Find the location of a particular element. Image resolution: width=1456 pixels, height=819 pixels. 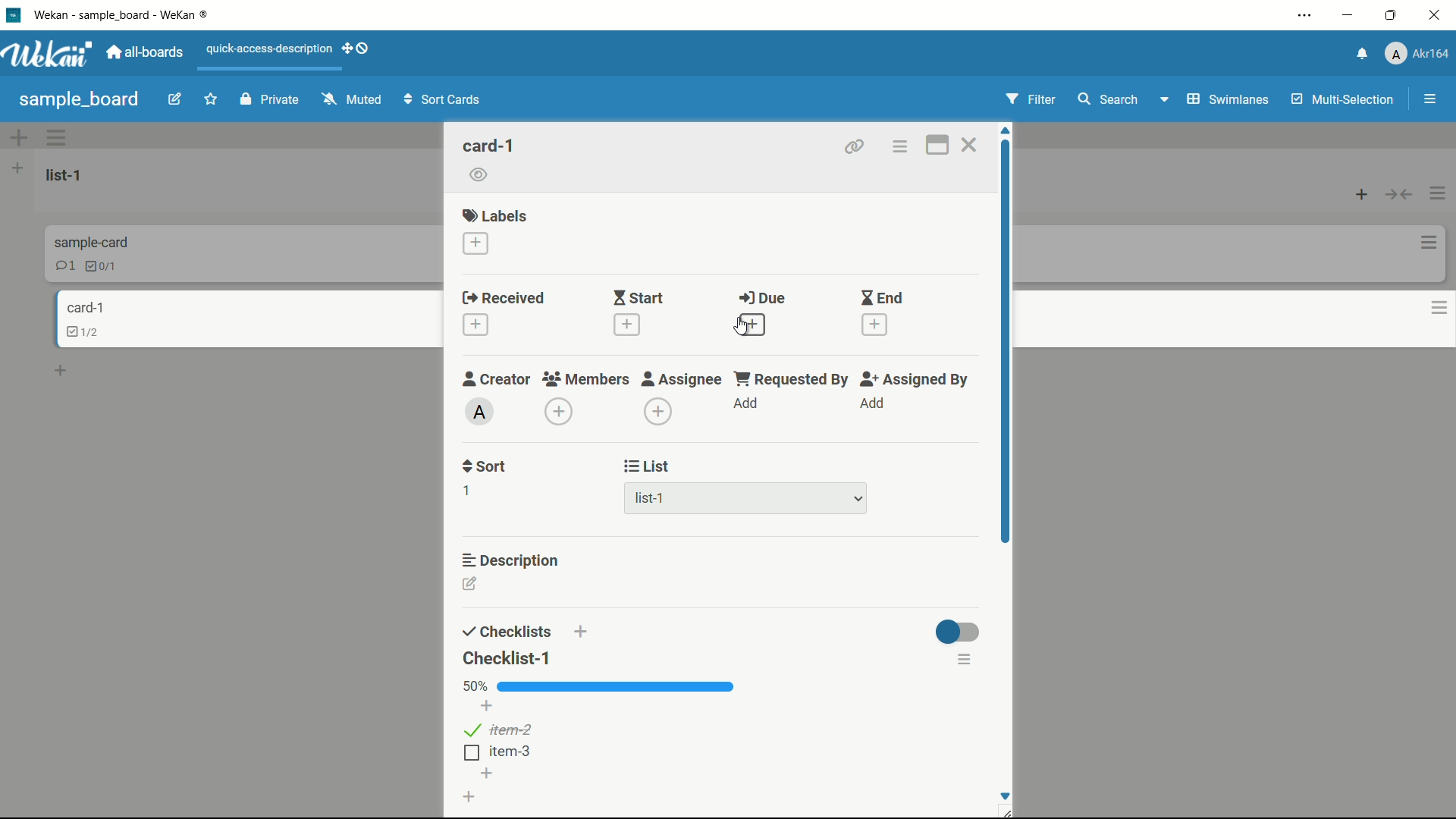

scroll bar is located at coordinates (1007, 347).